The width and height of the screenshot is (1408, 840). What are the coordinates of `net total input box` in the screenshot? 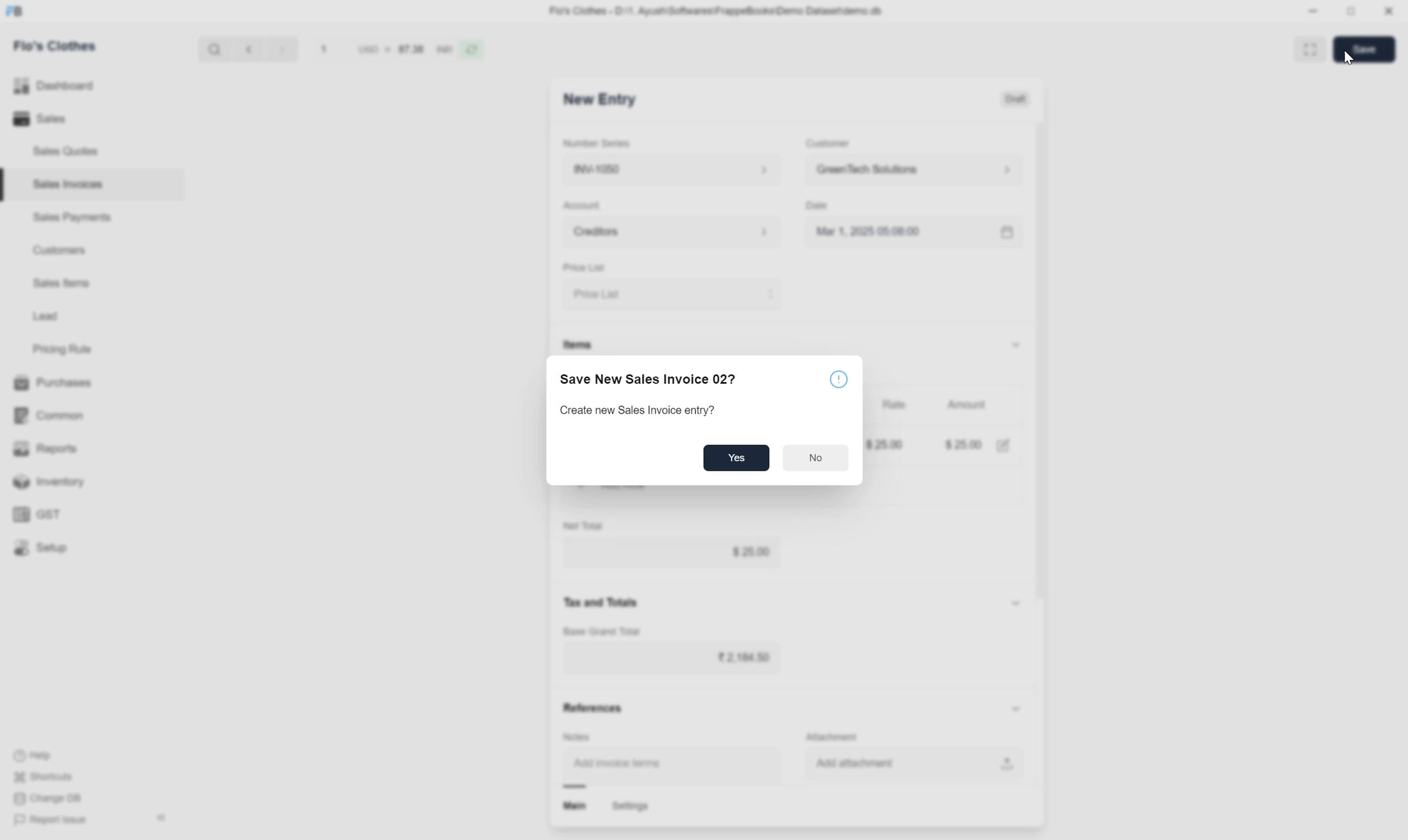 It's located at (681, 555).